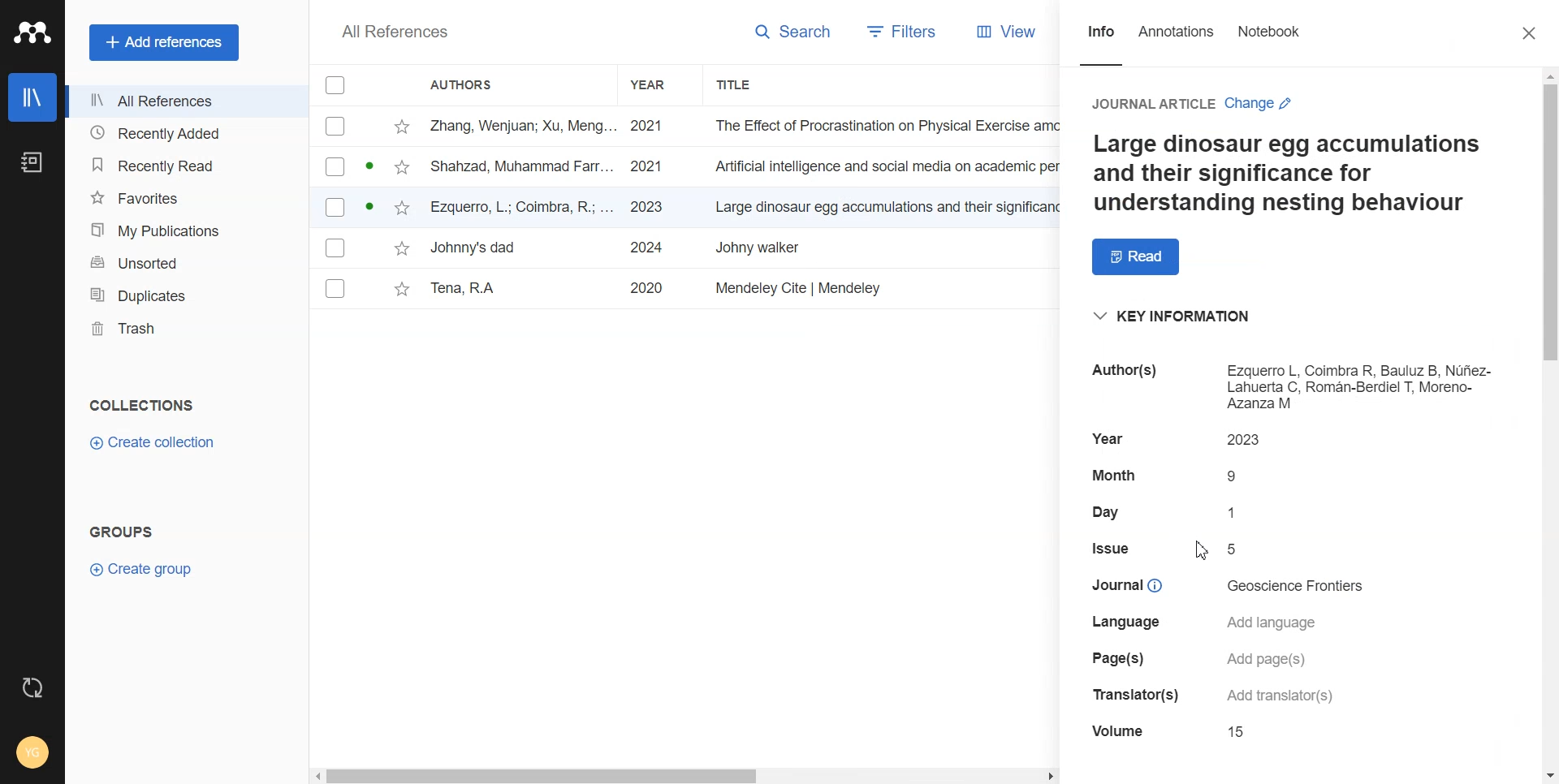 Image resolution: width=1559 pixels, height=784 pixels. Describe the element at coordinates (128, 529) in the screenshot. I see `Text` at that location.